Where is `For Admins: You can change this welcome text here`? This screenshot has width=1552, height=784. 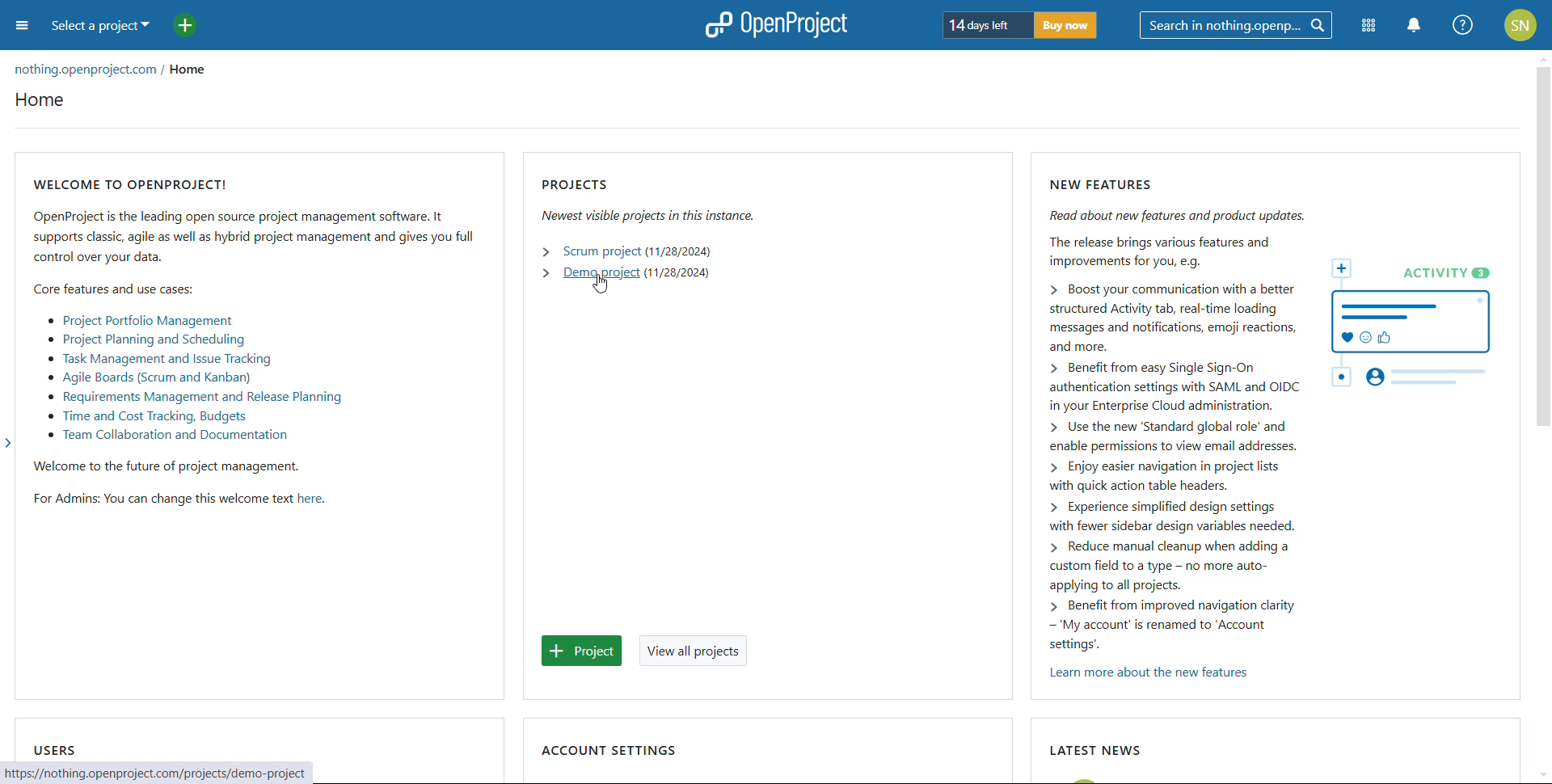
For Admins: You can change this welcome text here is located at coordinates (178, 501).